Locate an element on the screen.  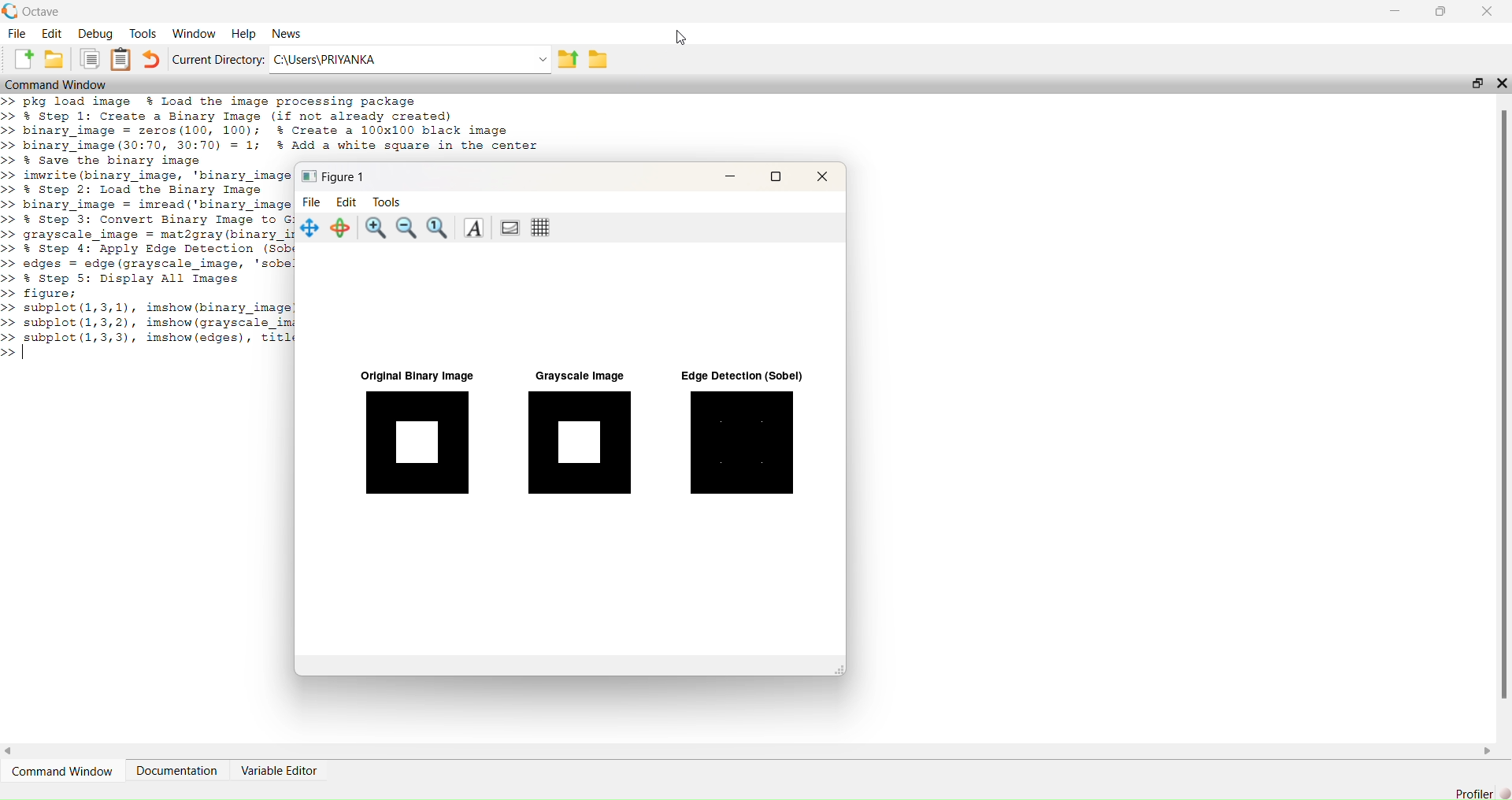
Edit is located at coordinates (54, 34).